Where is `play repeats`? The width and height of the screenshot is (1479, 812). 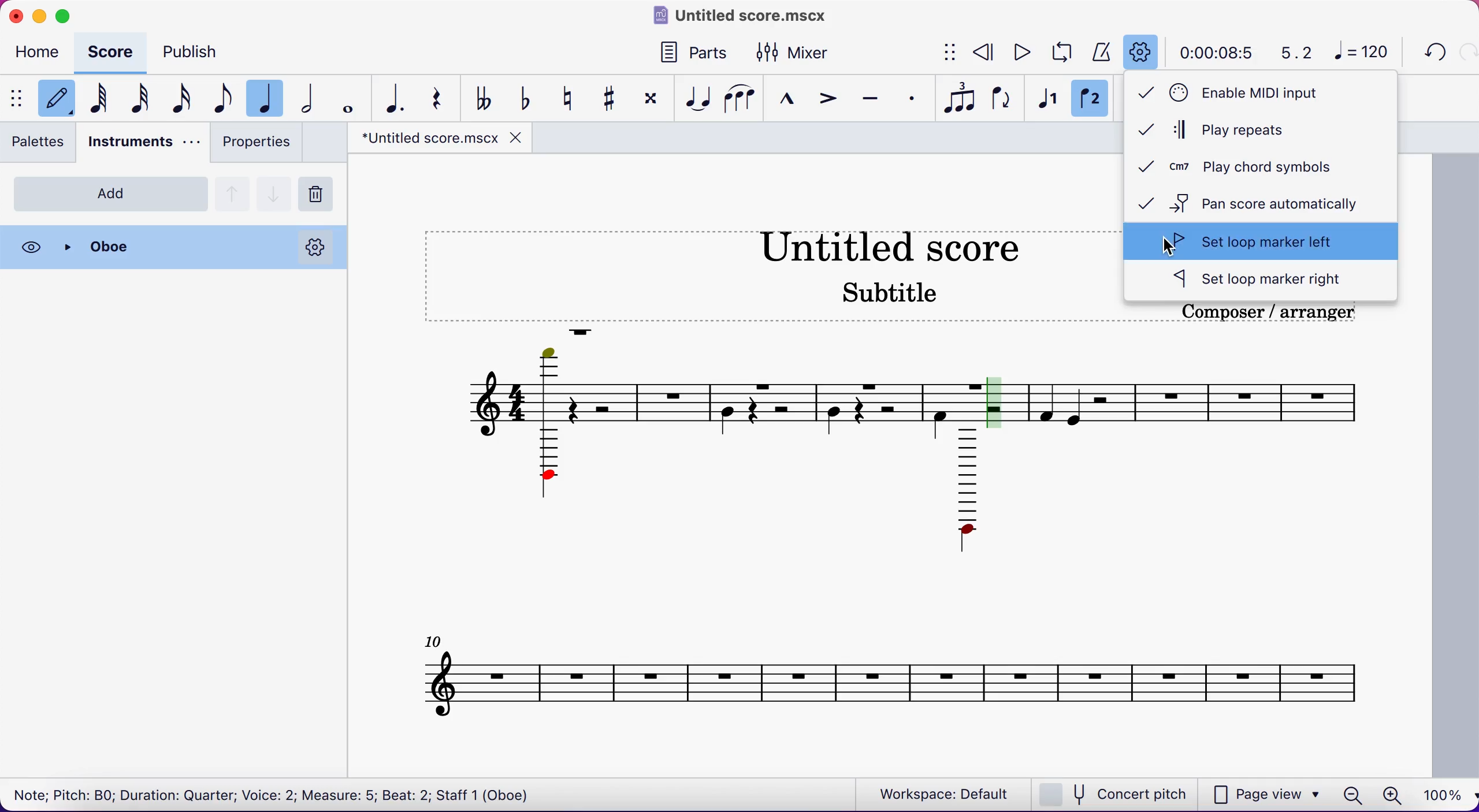 play repeats is located at coordinates (1236, 132).